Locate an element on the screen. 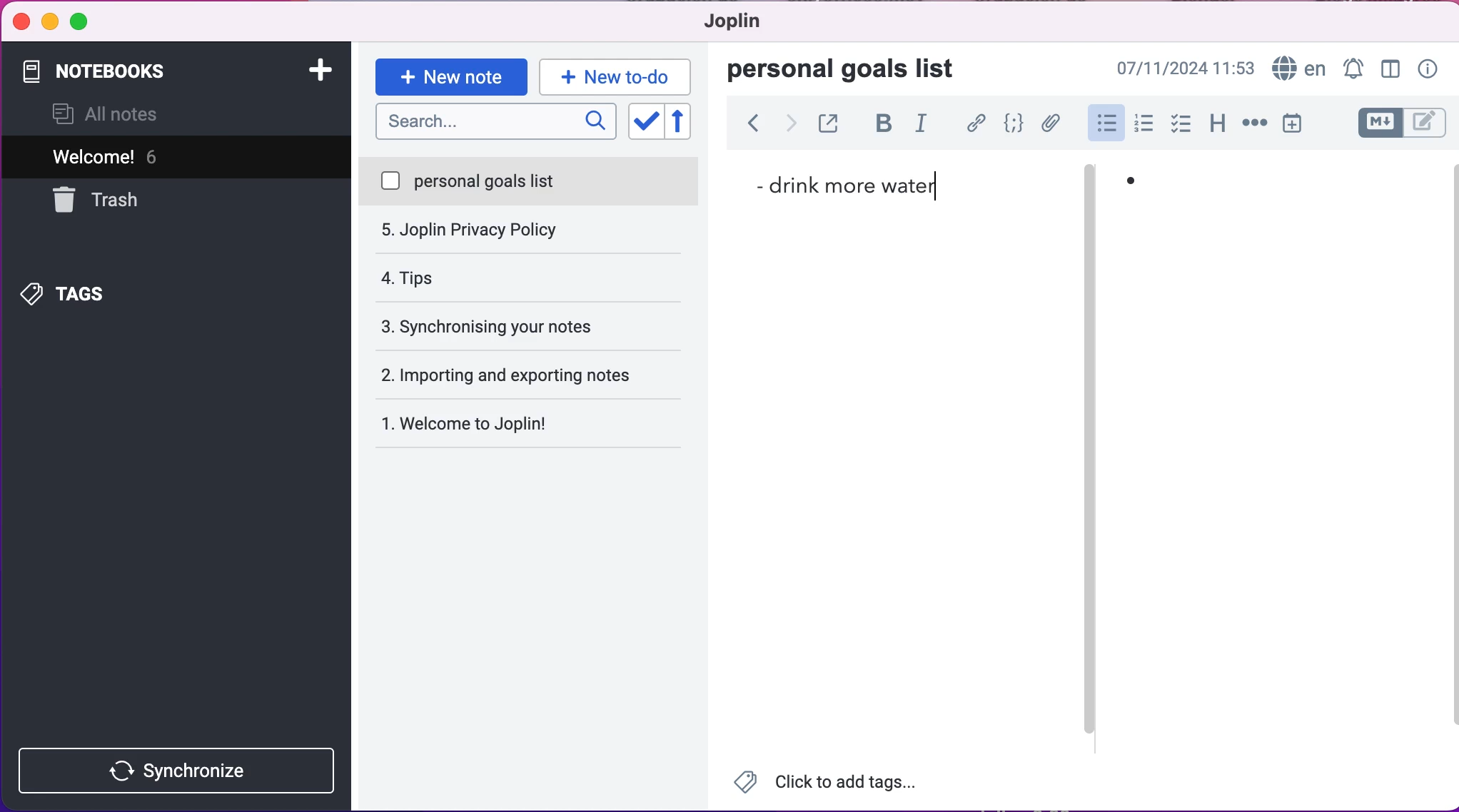 This screenshot has height=812, width=1459. language is located at coordinates (1298, 66).